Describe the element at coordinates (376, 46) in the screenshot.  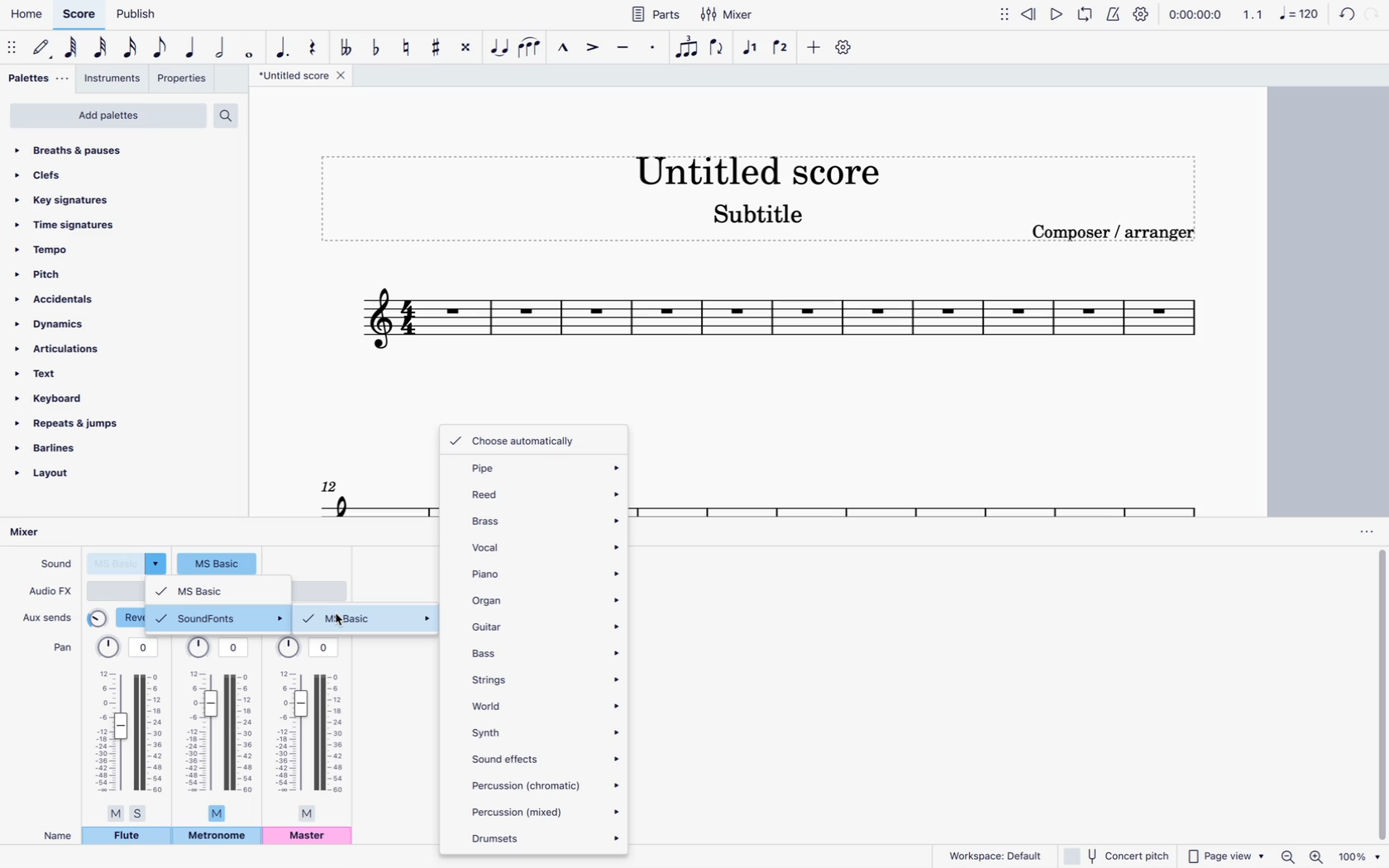
I see `toggle flat` at that location.